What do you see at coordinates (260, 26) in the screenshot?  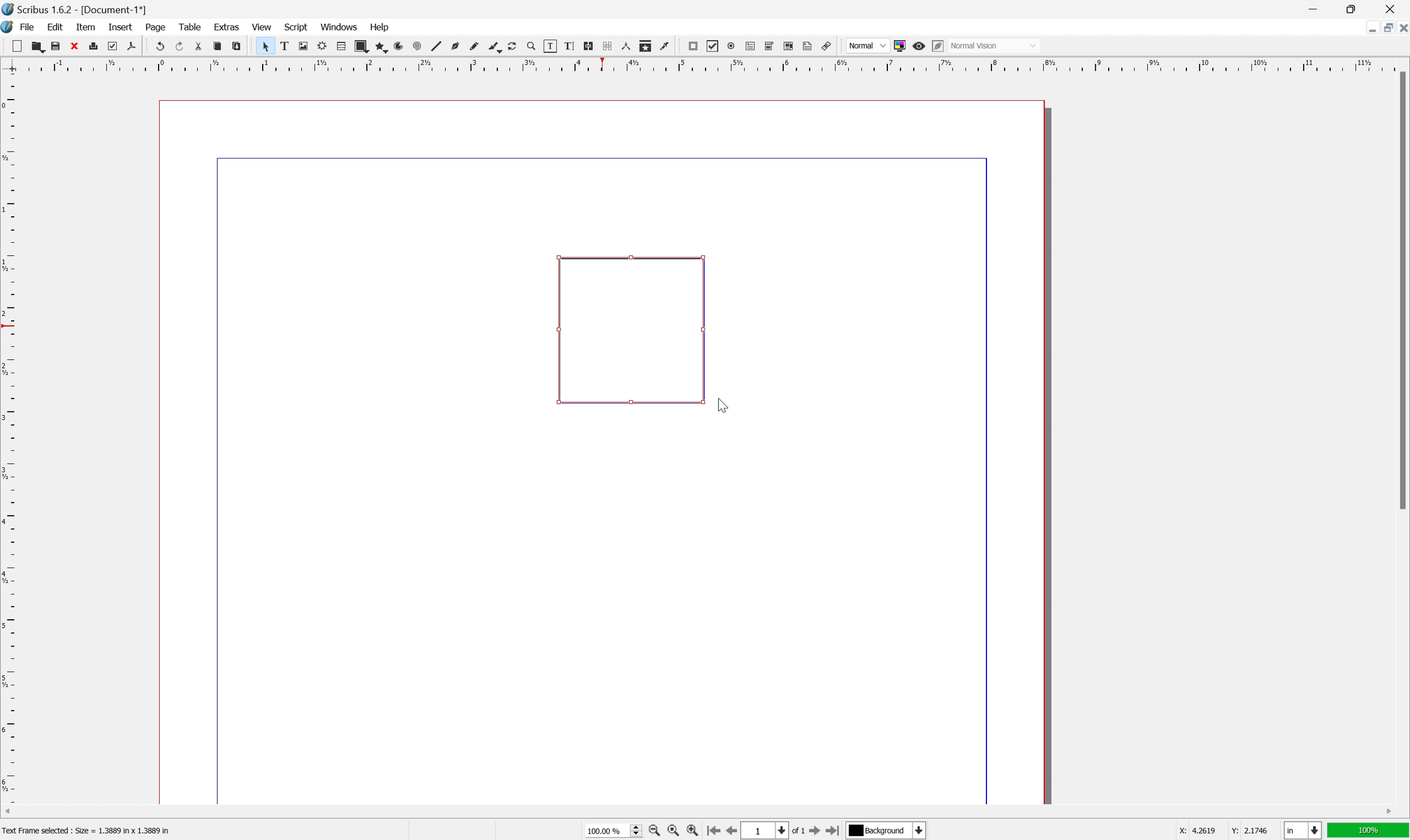 I see `view` at bounding box center [260, 26].